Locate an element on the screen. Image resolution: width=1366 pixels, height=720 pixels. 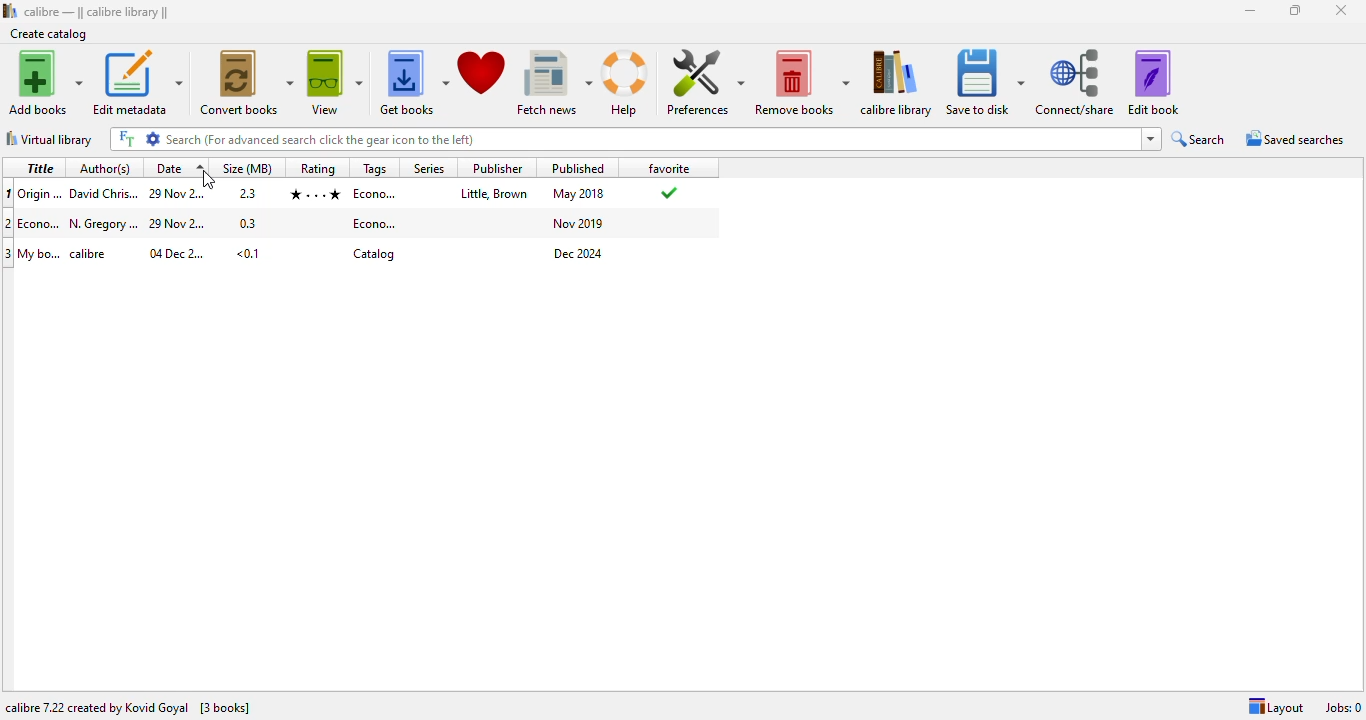
edit book is located at coordinates (1153, 82).